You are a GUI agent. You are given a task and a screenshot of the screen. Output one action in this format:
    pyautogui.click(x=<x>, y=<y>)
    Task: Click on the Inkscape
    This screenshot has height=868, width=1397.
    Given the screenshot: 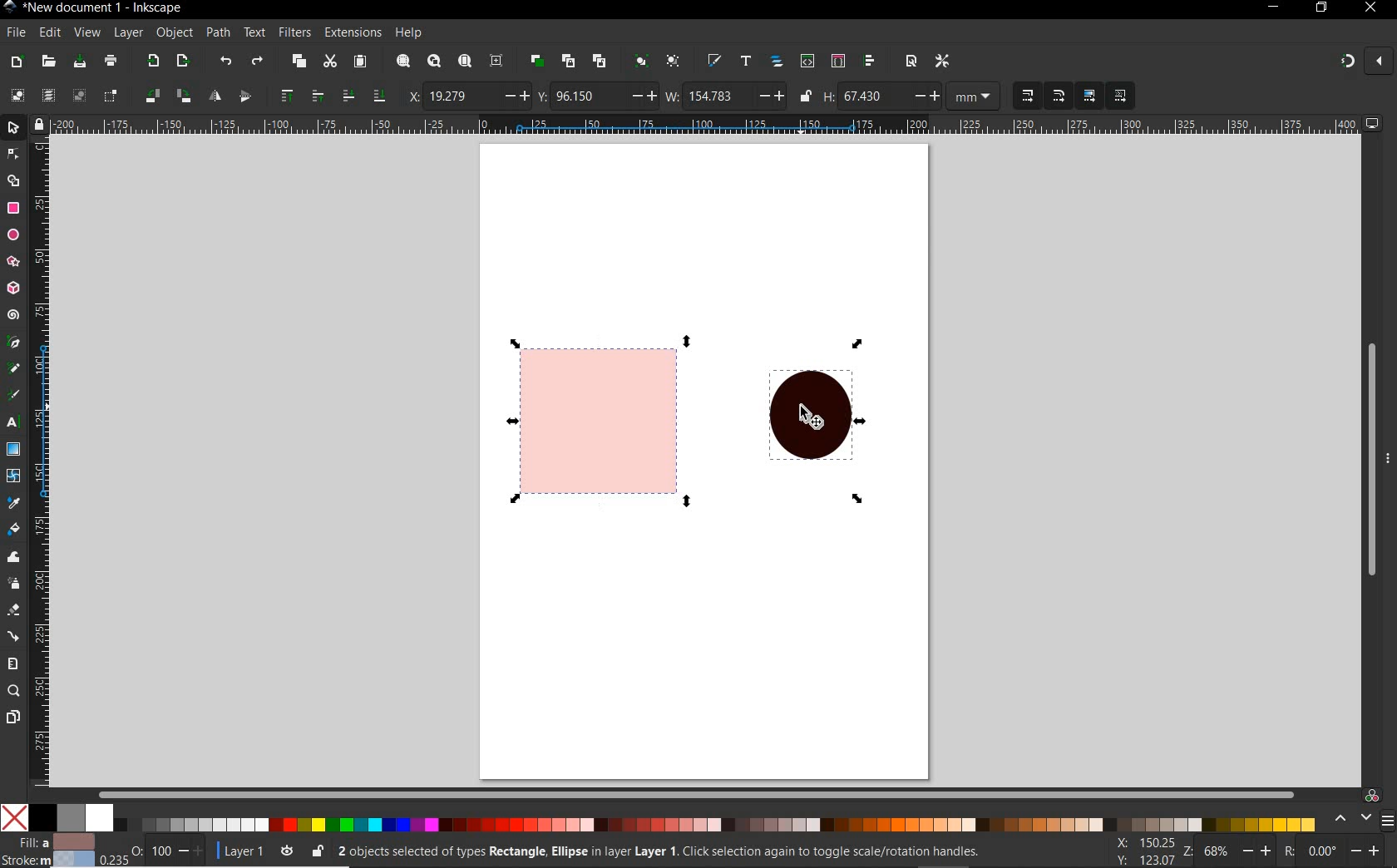 What is the action you would take?
    pyautogui.click(x=11, y=8)
    